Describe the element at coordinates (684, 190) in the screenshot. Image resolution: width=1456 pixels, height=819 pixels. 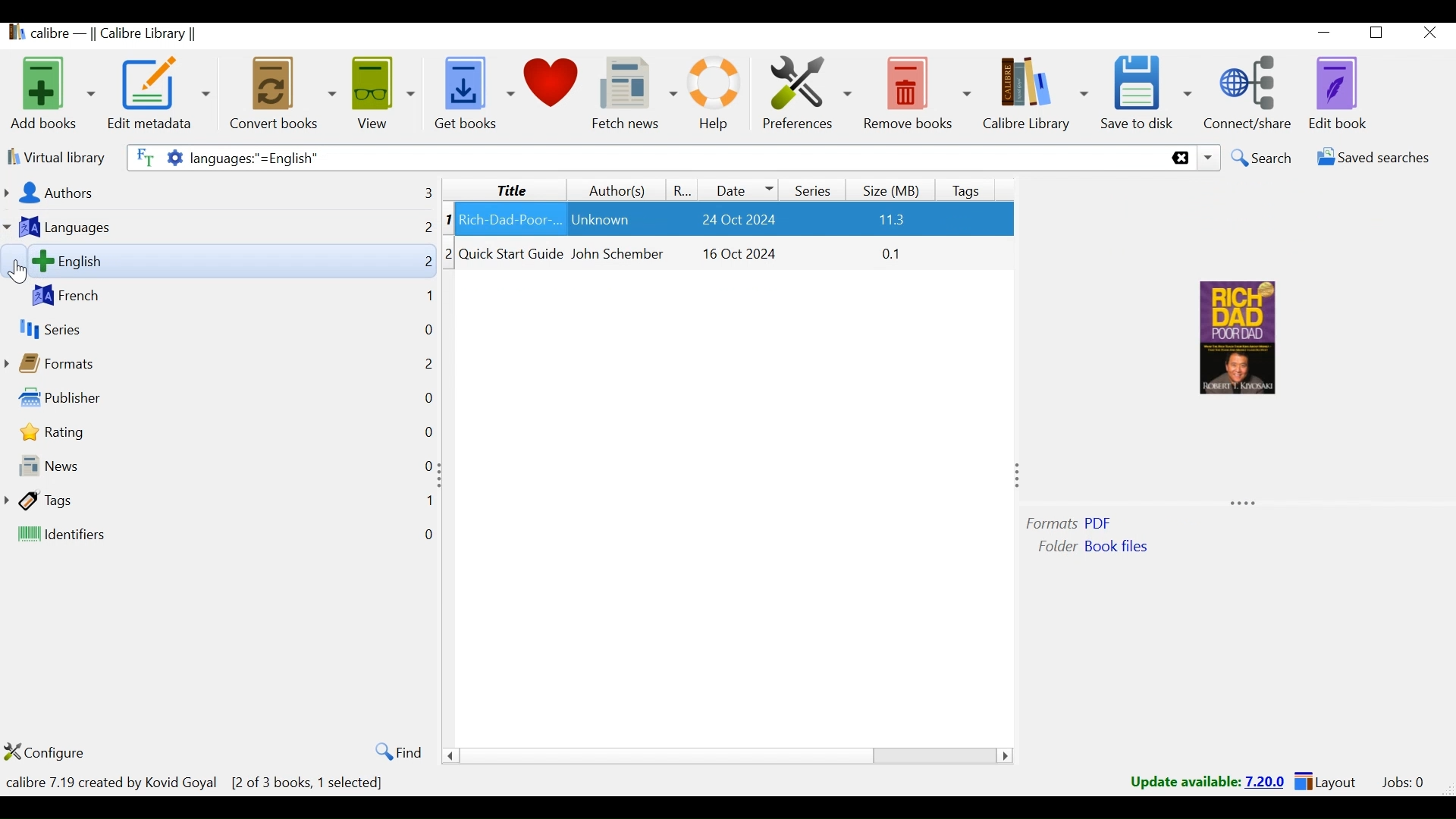
I see `Rating` at that location.